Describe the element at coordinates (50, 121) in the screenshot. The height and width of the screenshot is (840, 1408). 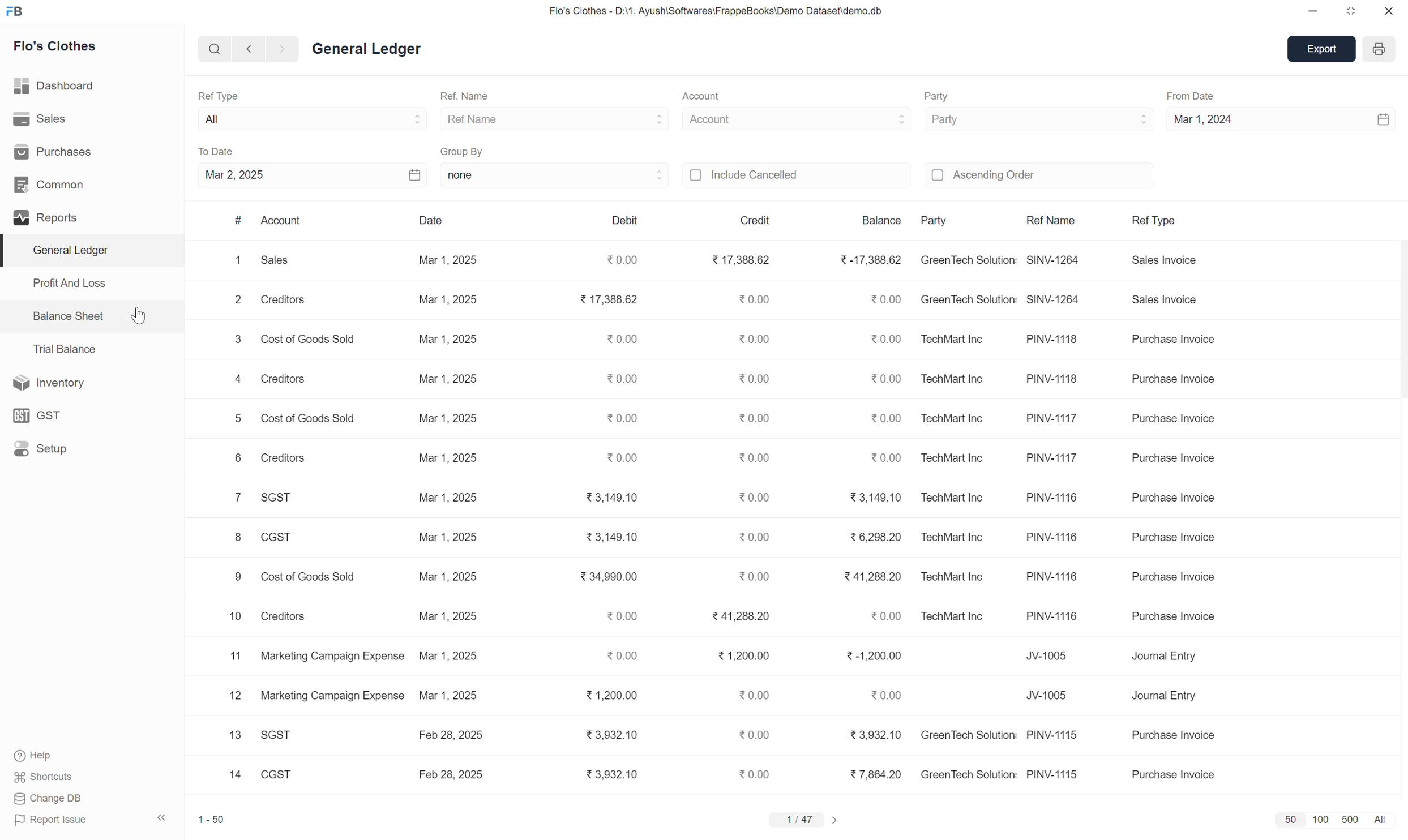
I see `Sales` at that location.